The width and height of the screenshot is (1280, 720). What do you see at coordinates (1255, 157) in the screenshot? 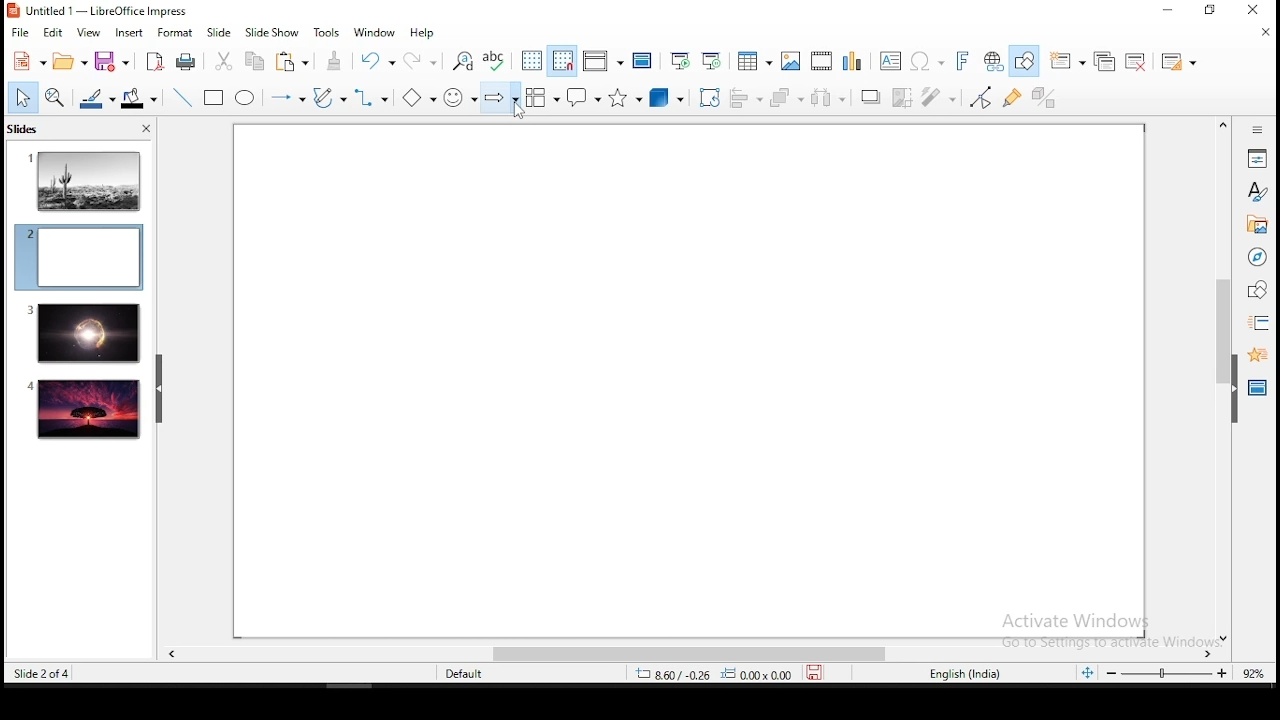
I see `properties` at bounding box center [1255, 157].